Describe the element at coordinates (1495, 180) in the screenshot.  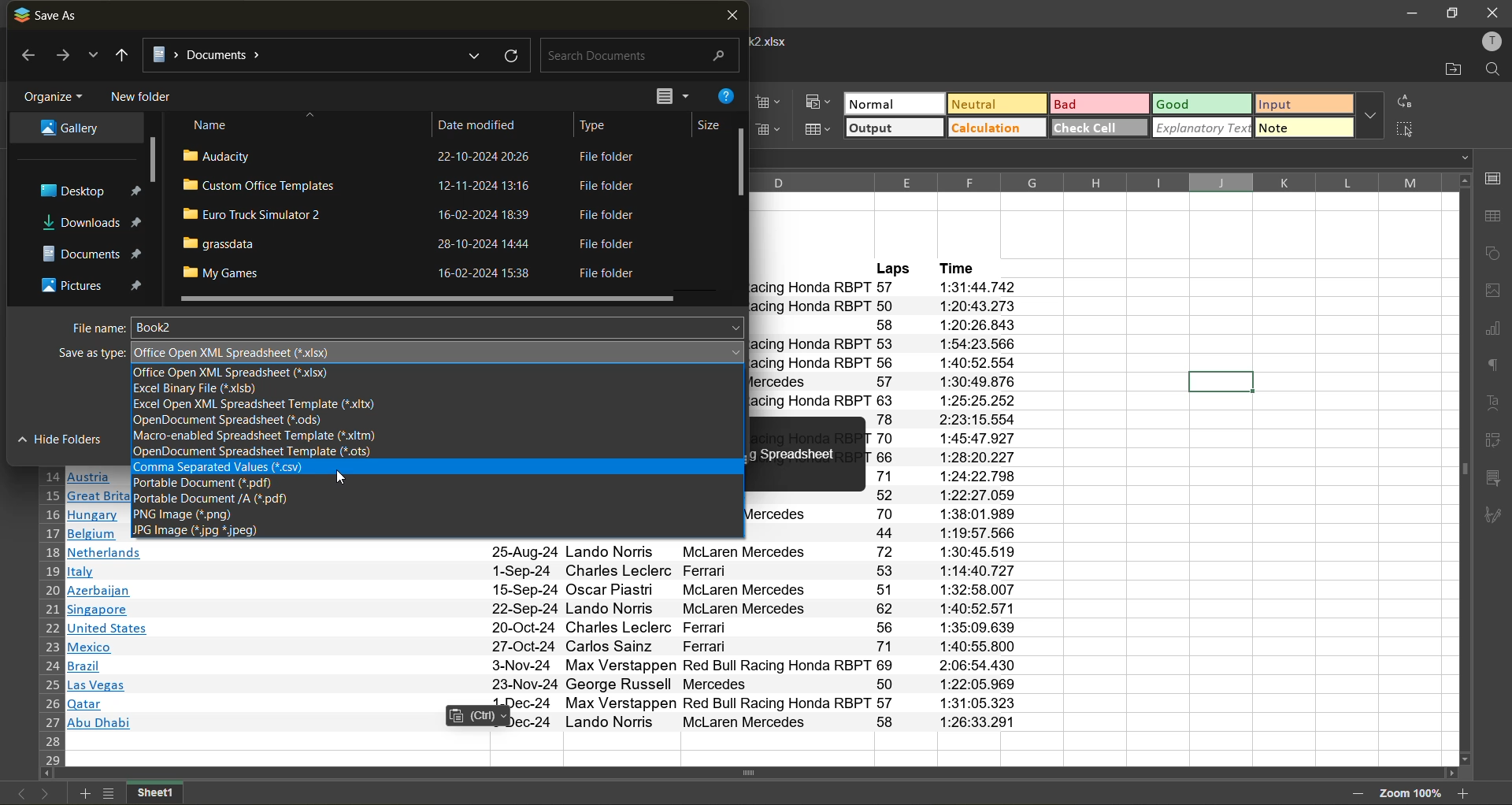
I see `call settings` at that location.